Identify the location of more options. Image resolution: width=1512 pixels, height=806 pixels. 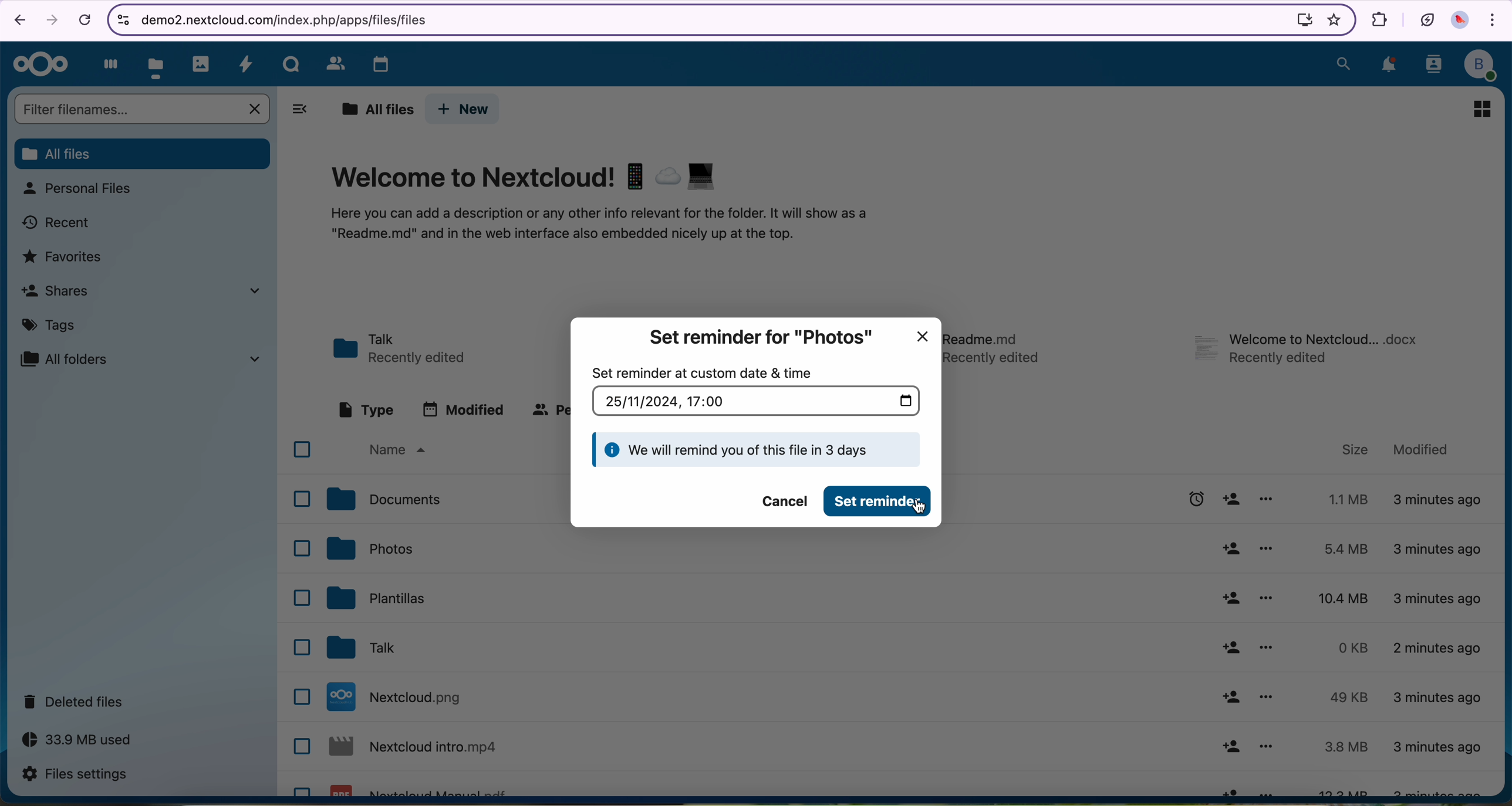
(1266, 499).